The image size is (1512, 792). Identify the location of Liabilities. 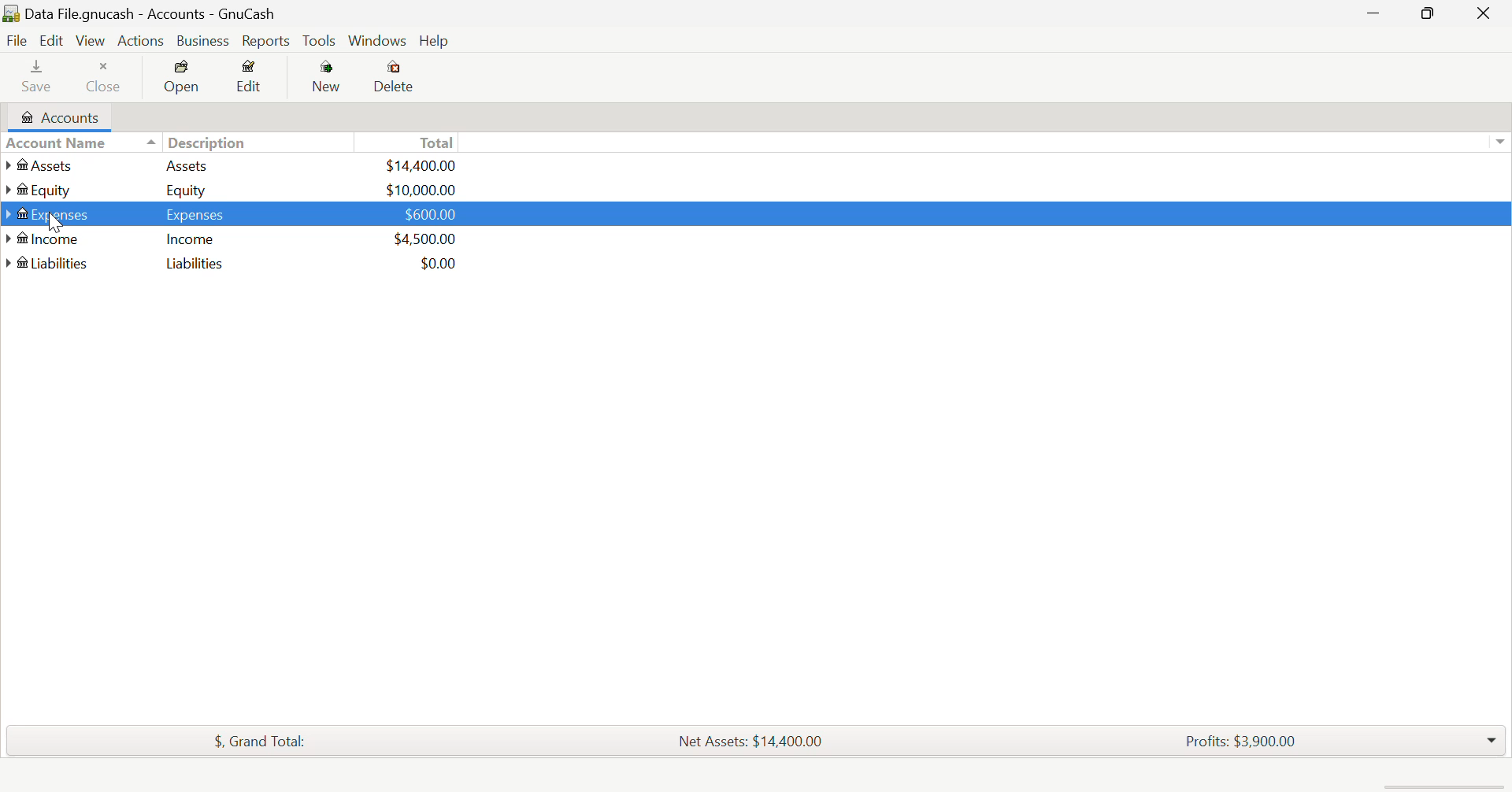
(191, 263).